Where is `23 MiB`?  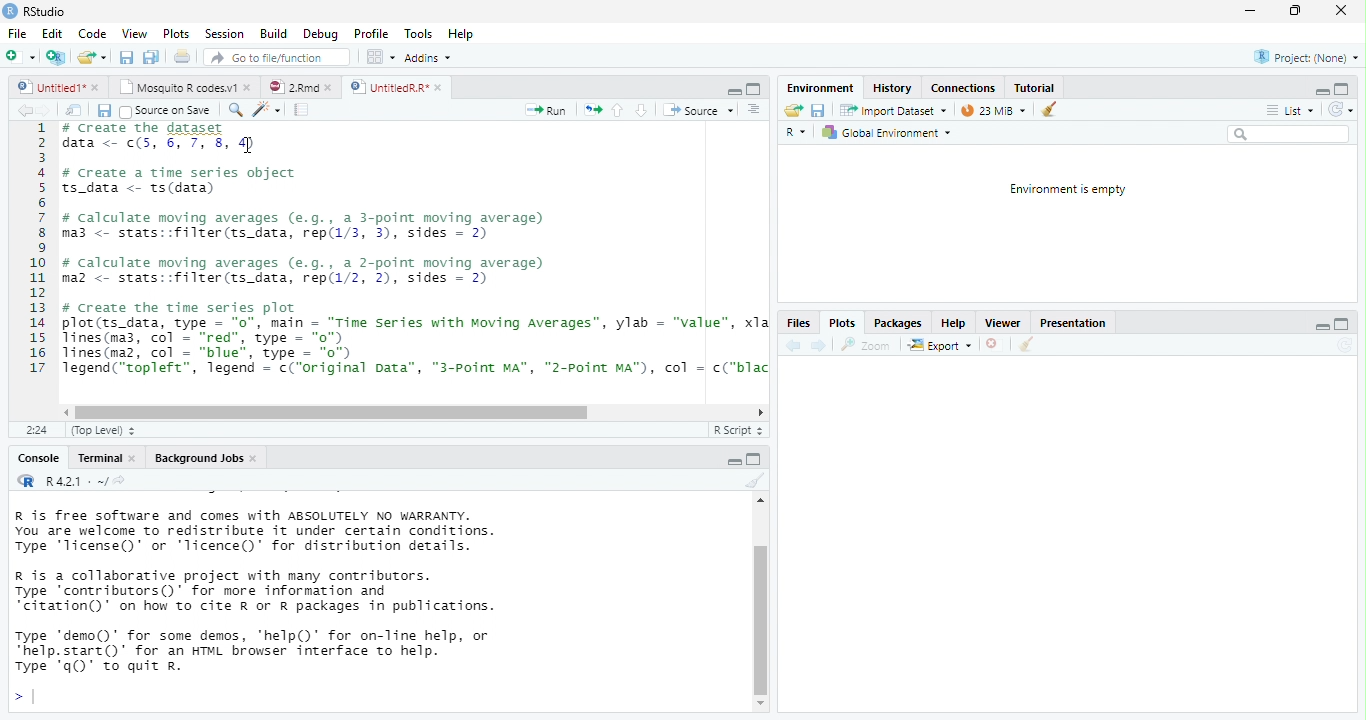 23 MiB is located at coordinates (992, 110).